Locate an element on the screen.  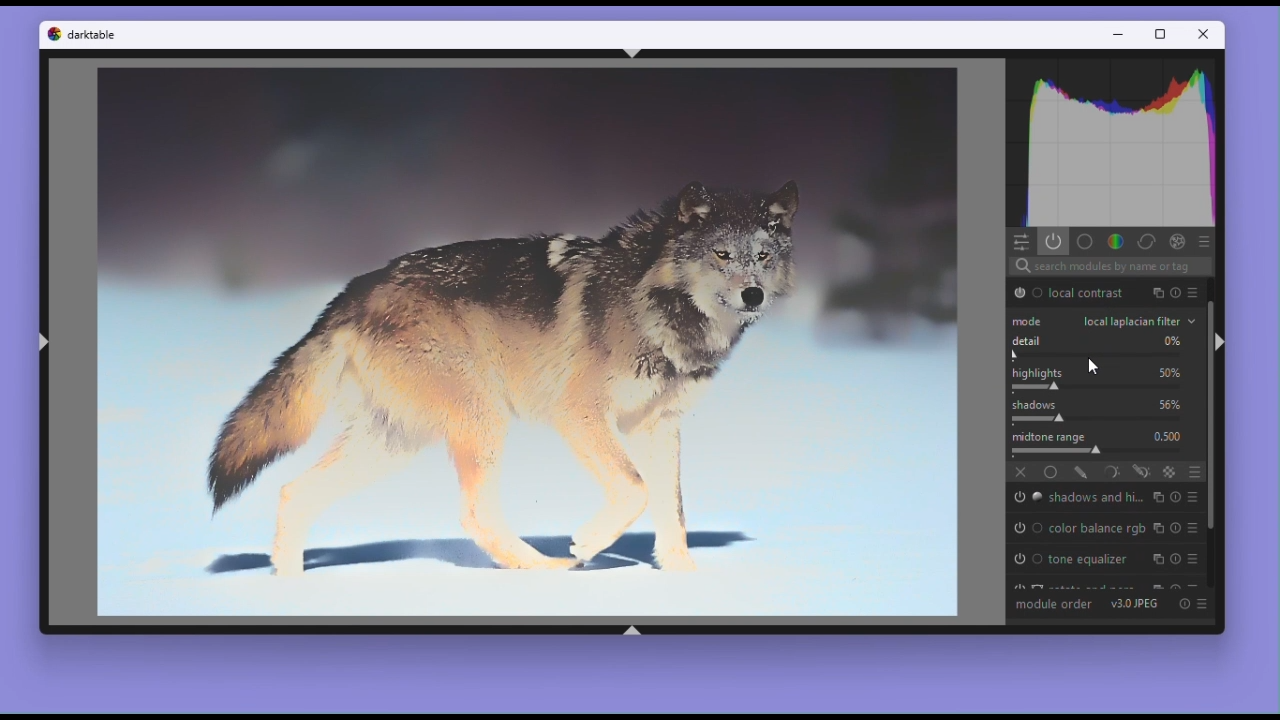
 is located at coordinates (1179, 242).